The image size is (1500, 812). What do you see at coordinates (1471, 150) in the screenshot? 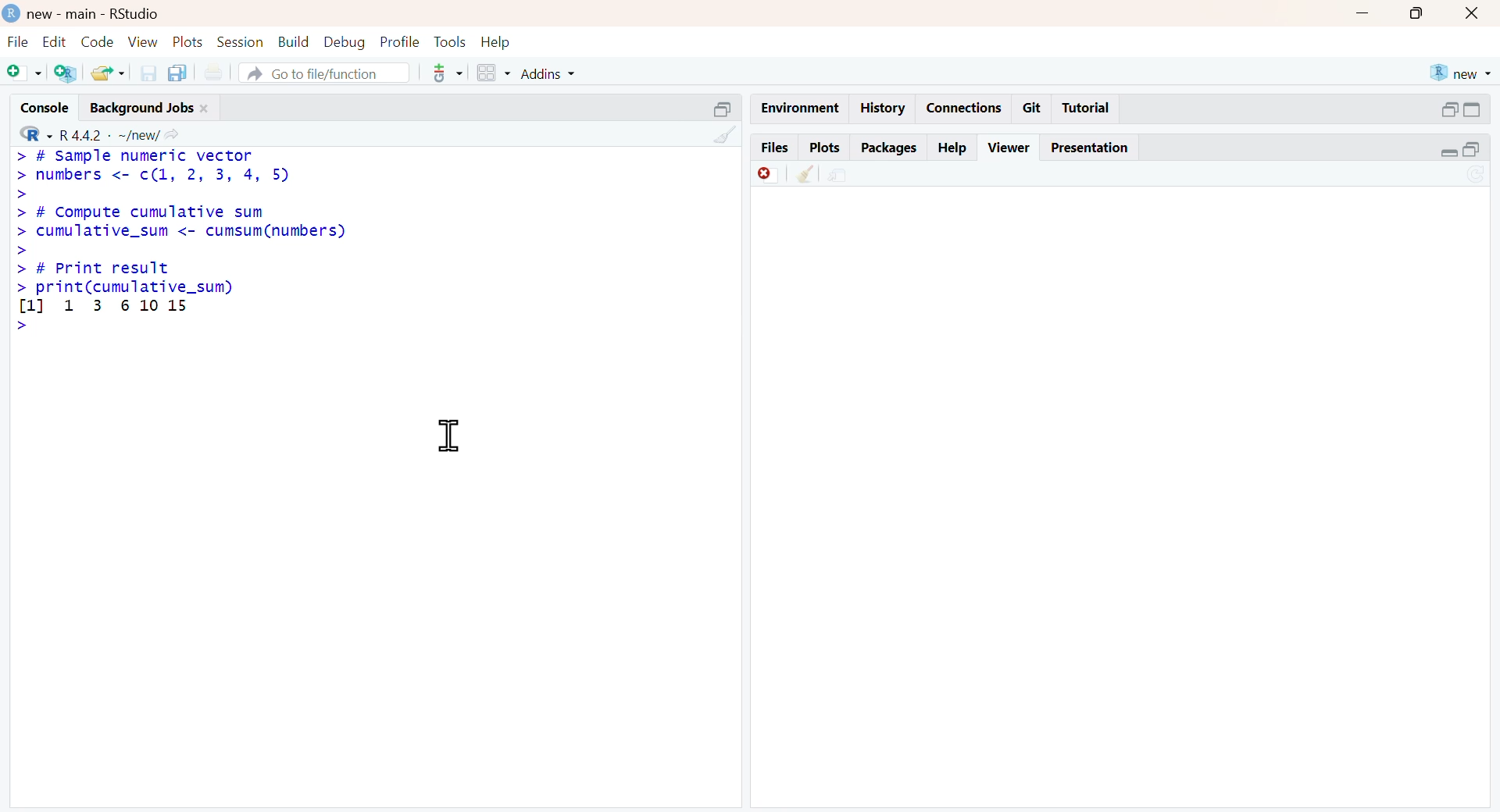
I see `open in separate window` at bounding box center [1471, 150].